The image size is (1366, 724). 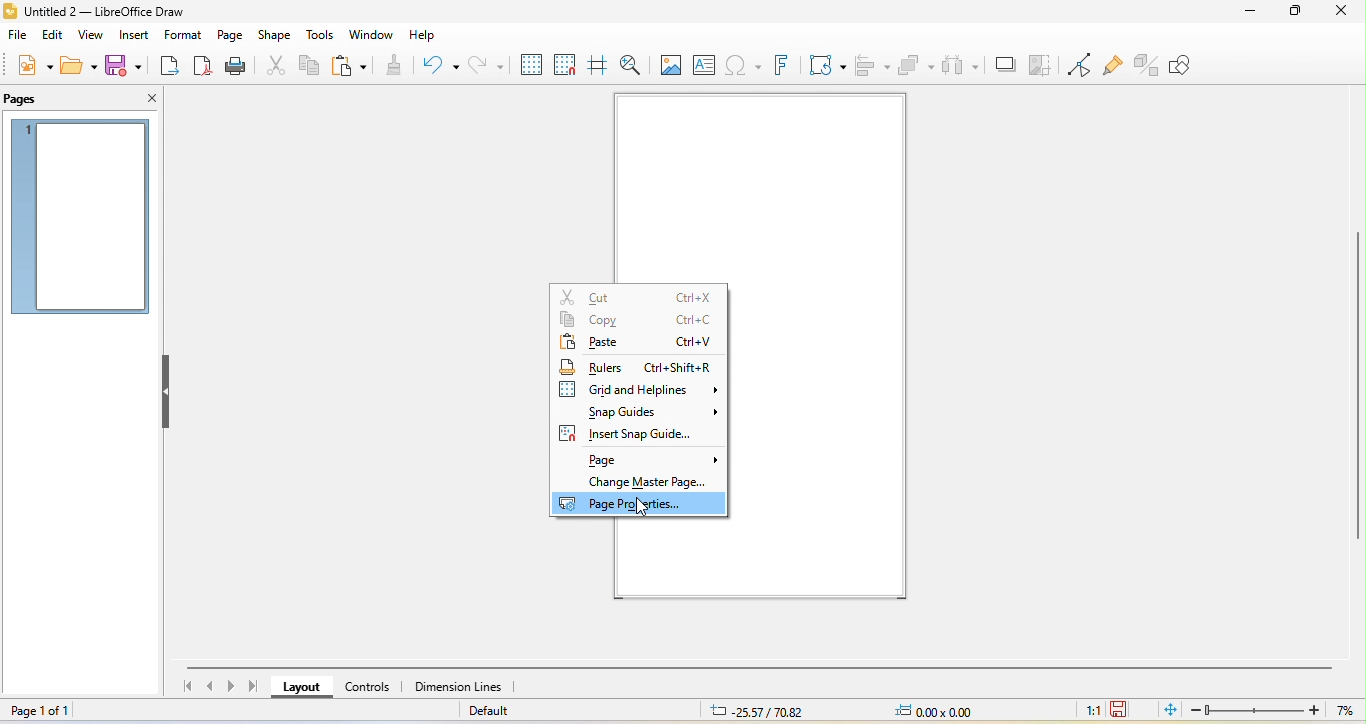 I want to click on previous page, so click(x=210, y=688).